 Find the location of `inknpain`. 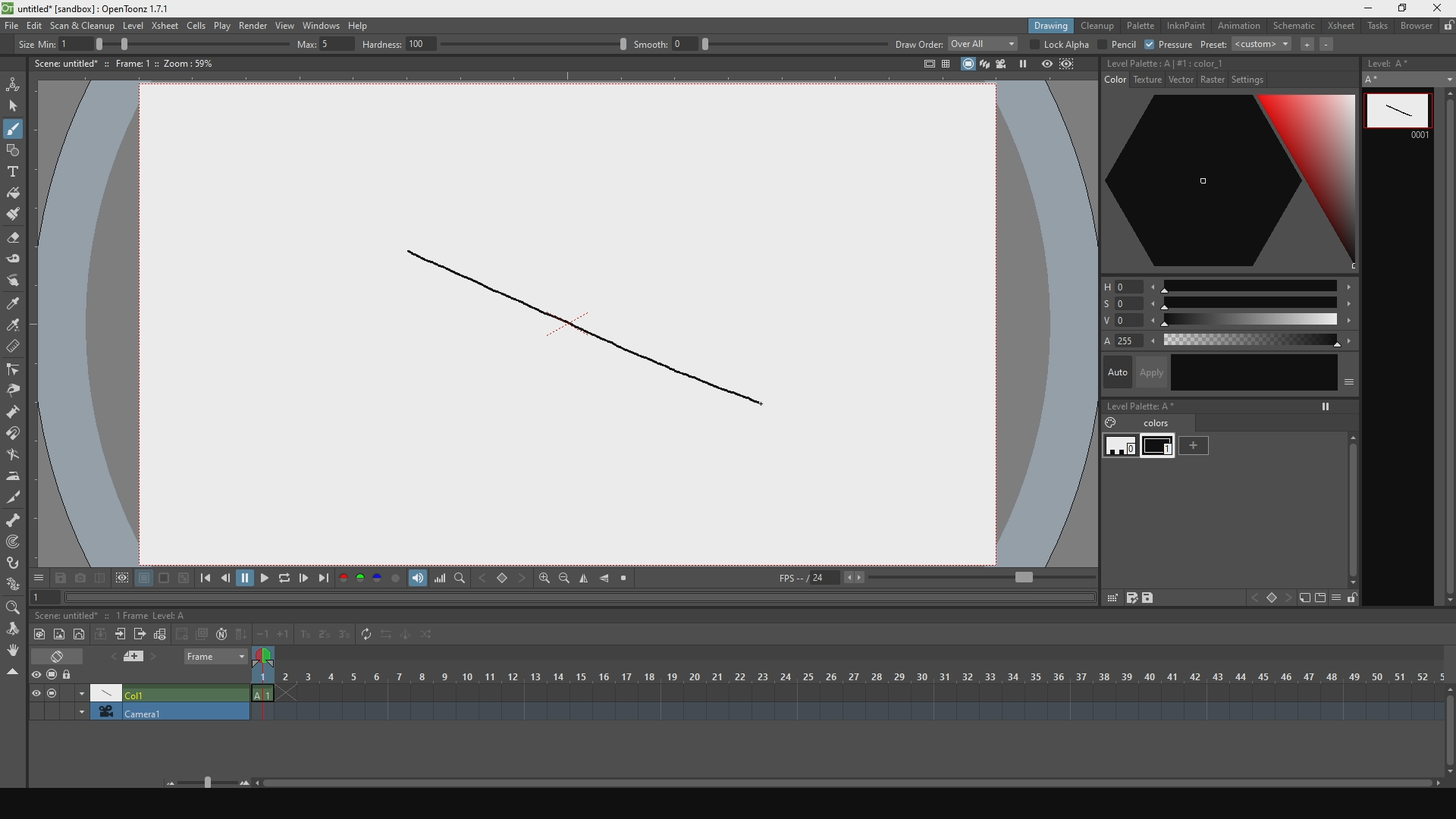

inknpain is located at coordinates (1188, 27).